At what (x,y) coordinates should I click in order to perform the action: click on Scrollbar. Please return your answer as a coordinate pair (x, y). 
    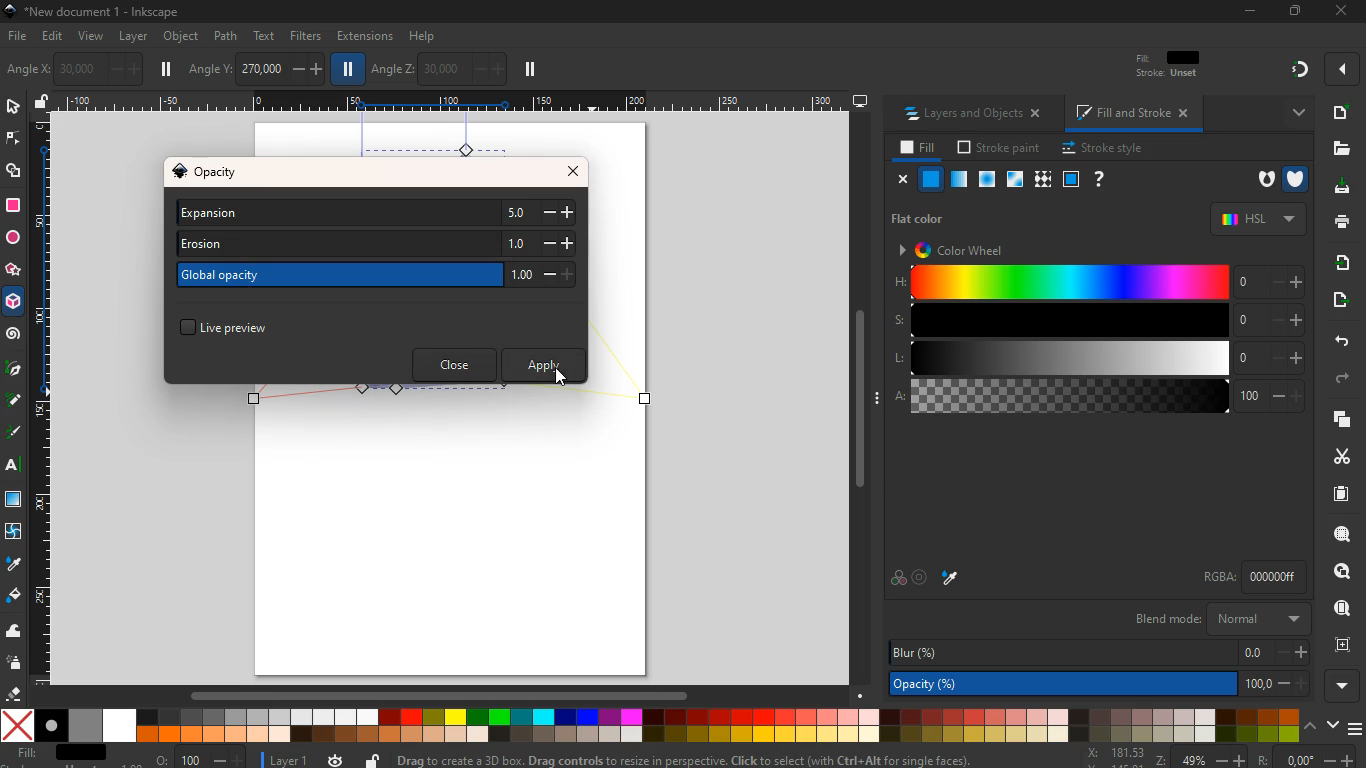
    Looking at the image, I should click on (859, 395).